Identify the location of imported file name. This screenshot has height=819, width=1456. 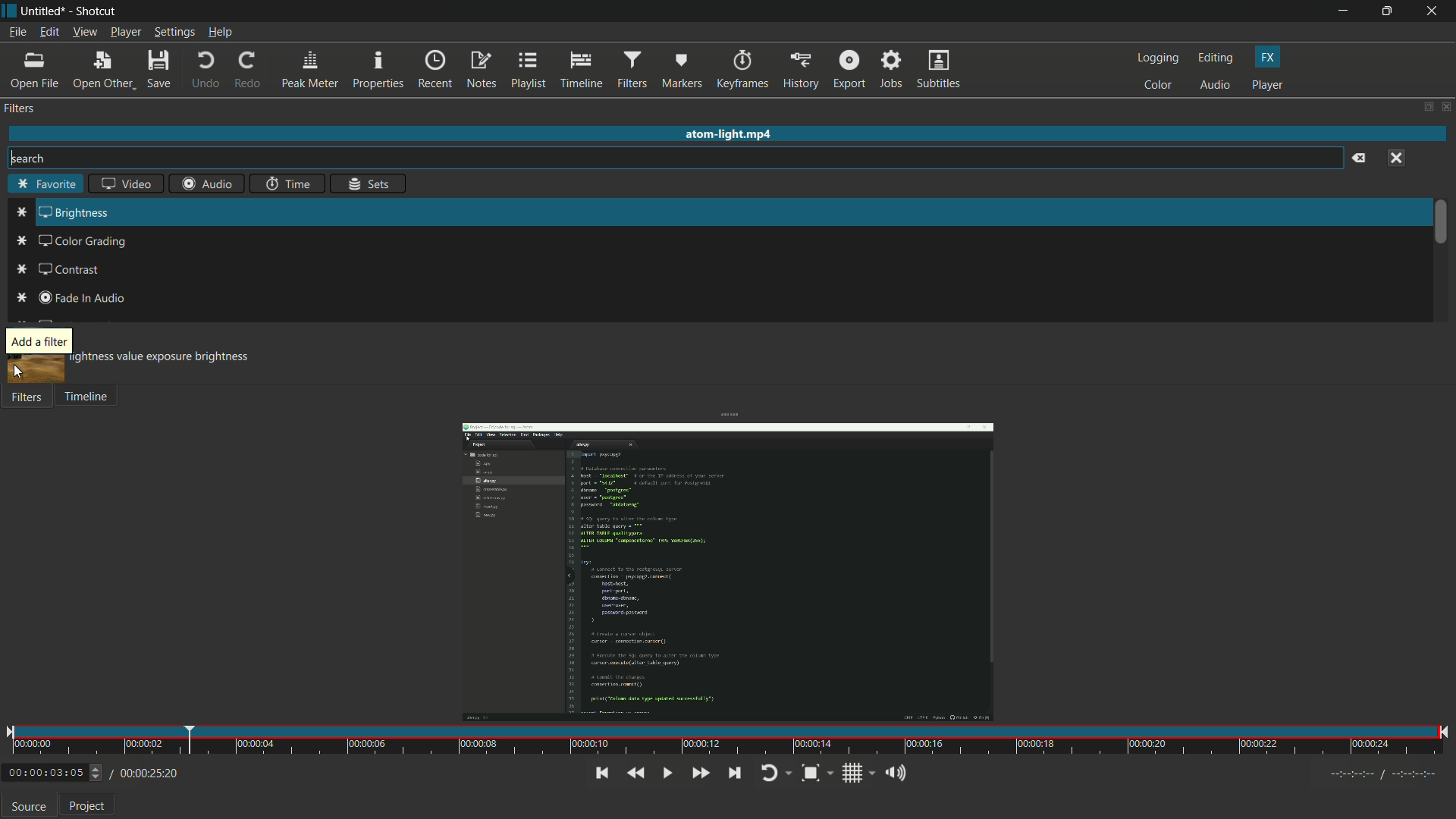
(730, 136).